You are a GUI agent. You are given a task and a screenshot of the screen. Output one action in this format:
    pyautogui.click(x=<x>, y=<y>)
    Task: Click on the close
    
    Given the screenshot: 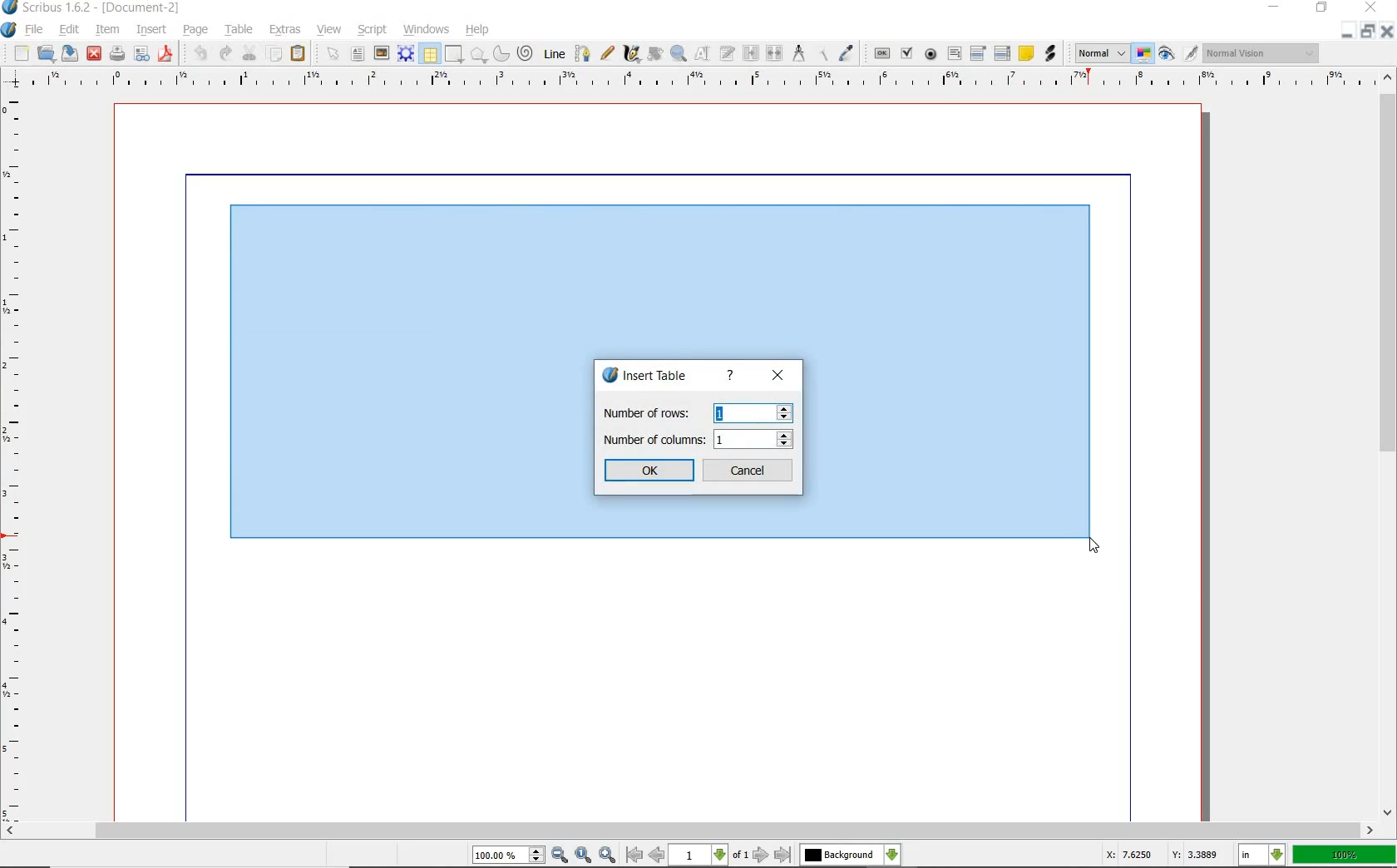 What is the action you would take?
    pyautogui.click(x=1389, y=32)
    